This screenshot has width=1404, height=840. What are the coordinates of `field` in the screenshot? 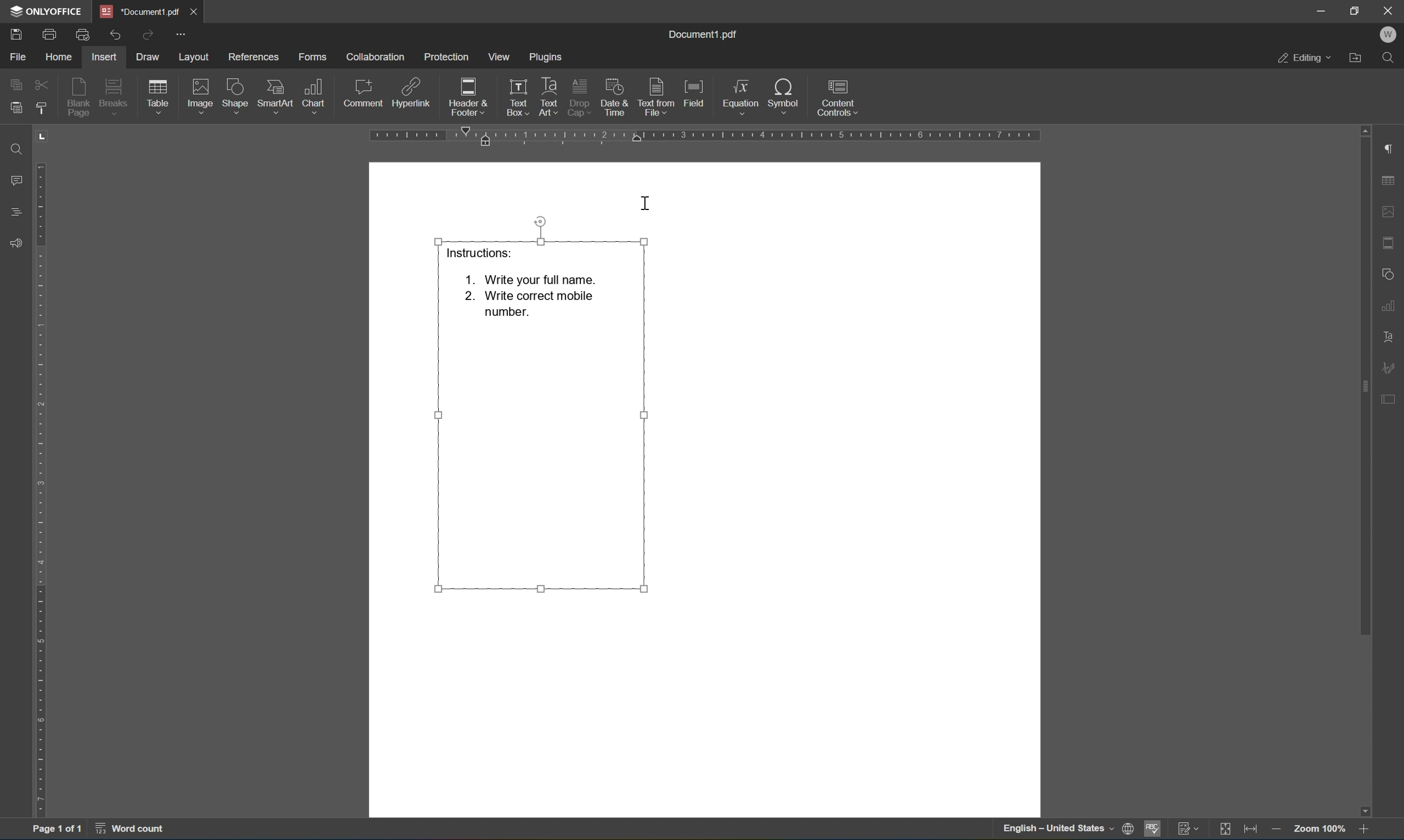 It's located at (695, 93).